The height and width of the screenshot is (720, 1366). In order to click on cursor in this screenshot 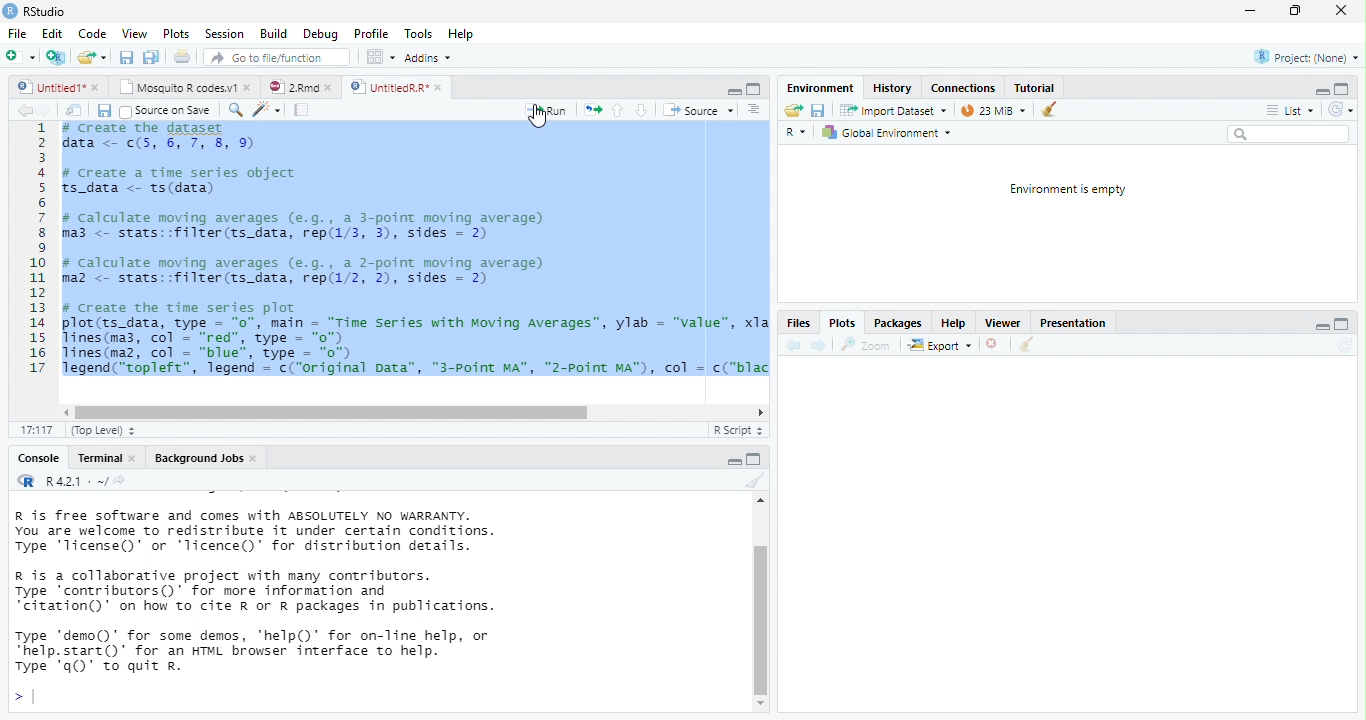, I will do `click(541, 119)`.